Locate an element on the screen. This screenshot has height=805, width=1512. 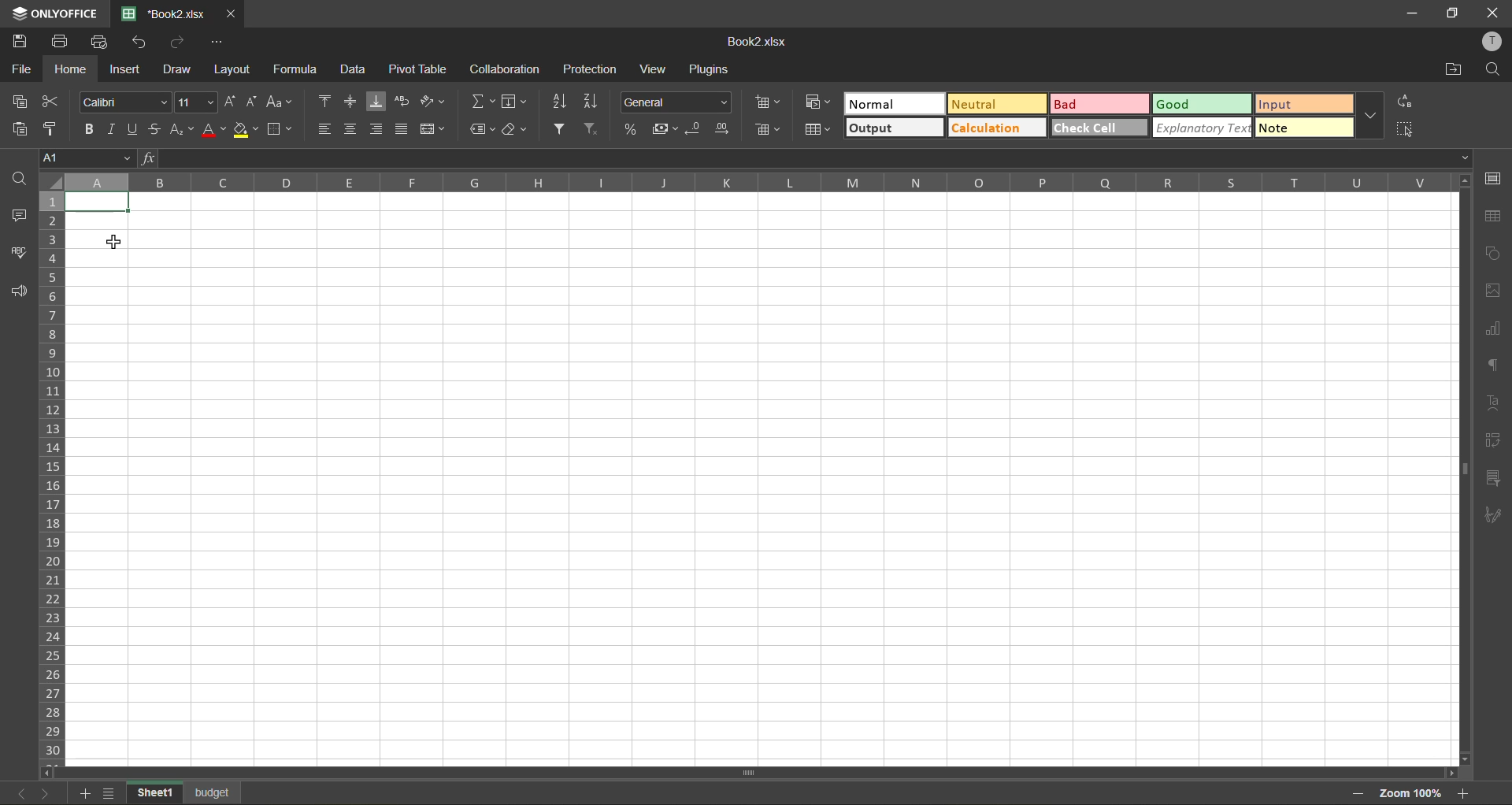
close tab is located at coordinates (231, 14).